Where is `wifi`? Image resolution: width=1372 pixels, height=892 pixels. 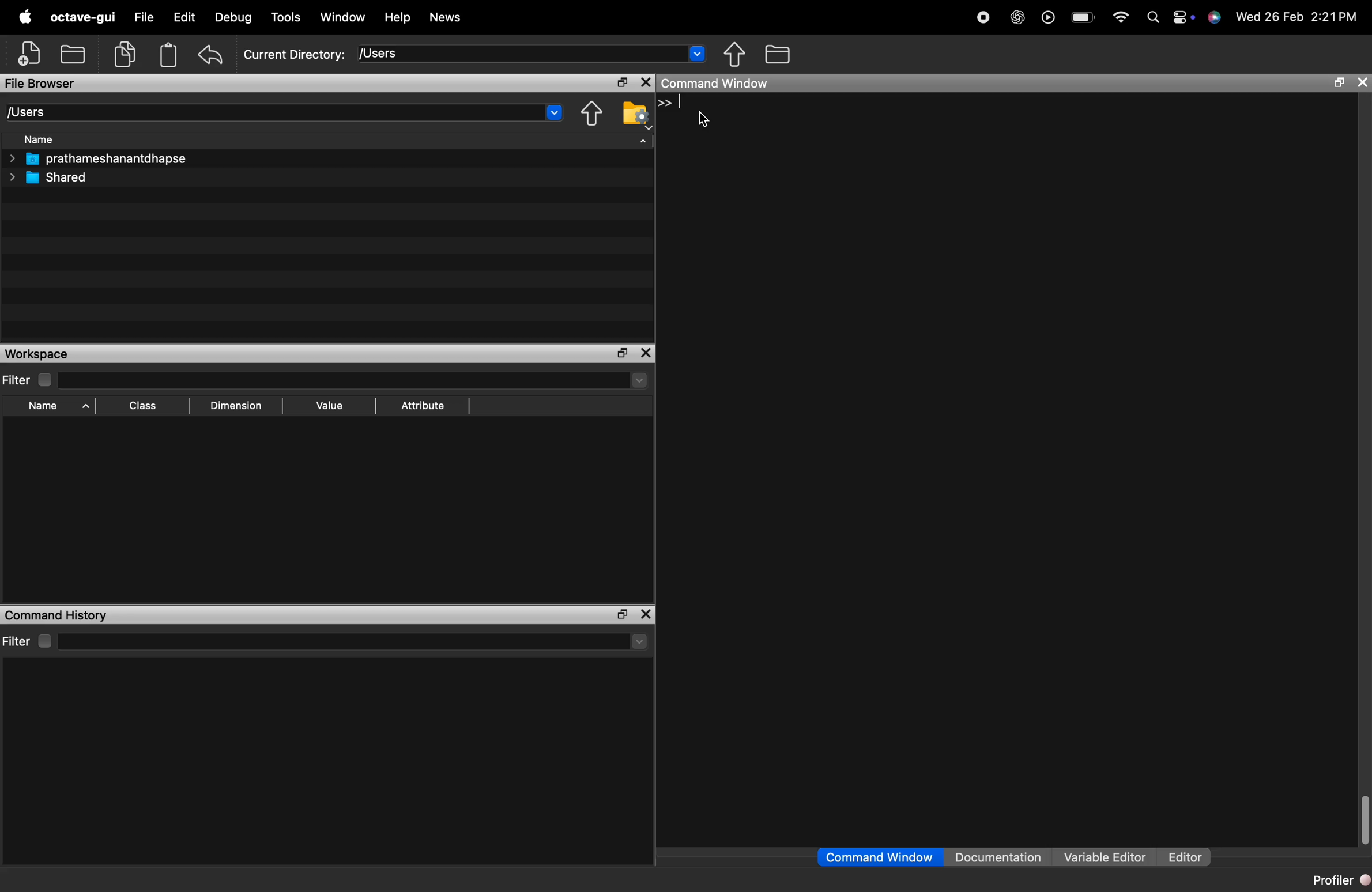
wifi is located at coordinates (1124, 13).